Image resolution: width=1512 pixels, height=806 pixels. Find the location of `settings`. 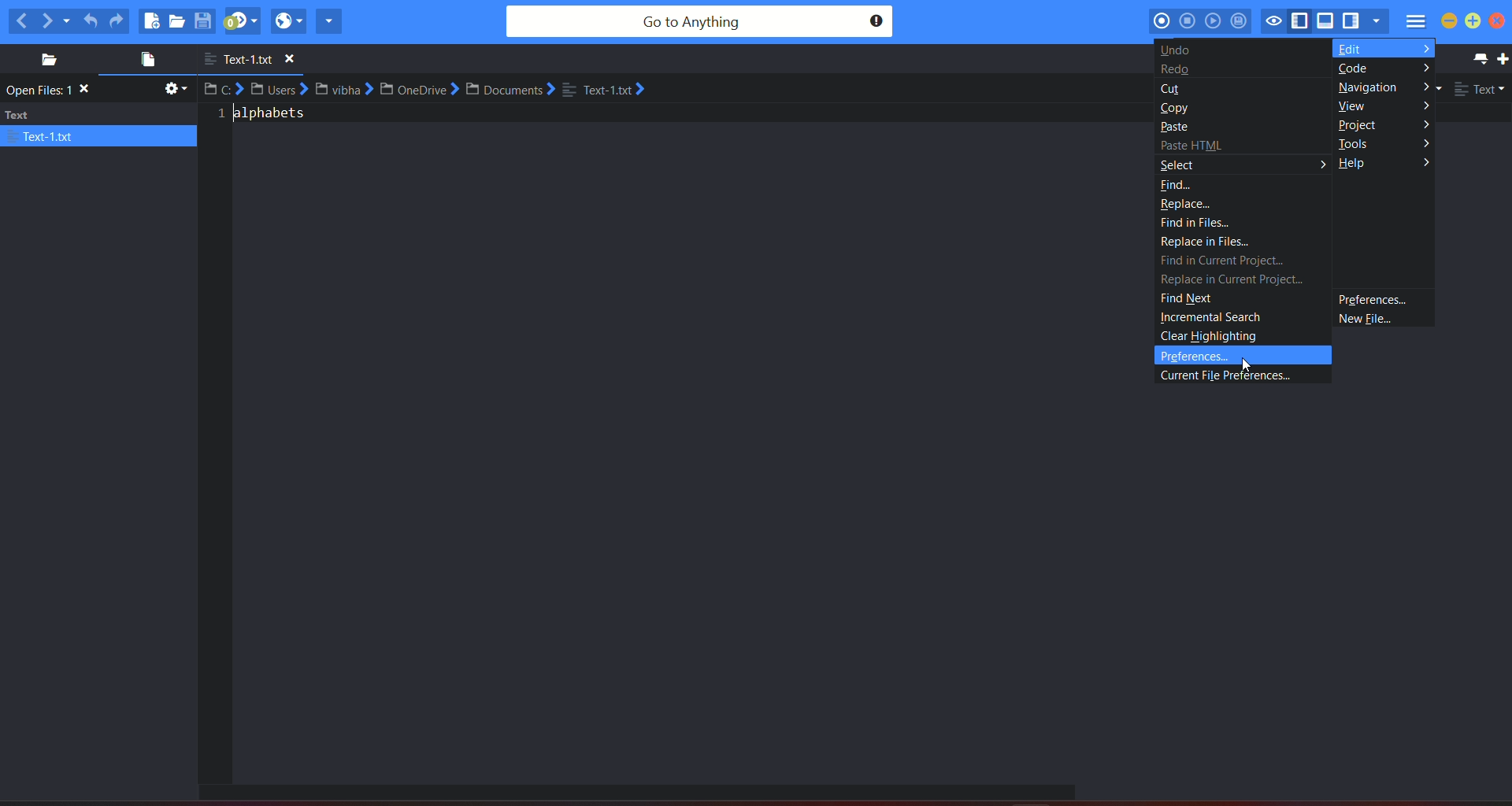

settings is located at coordinates (173, 91).